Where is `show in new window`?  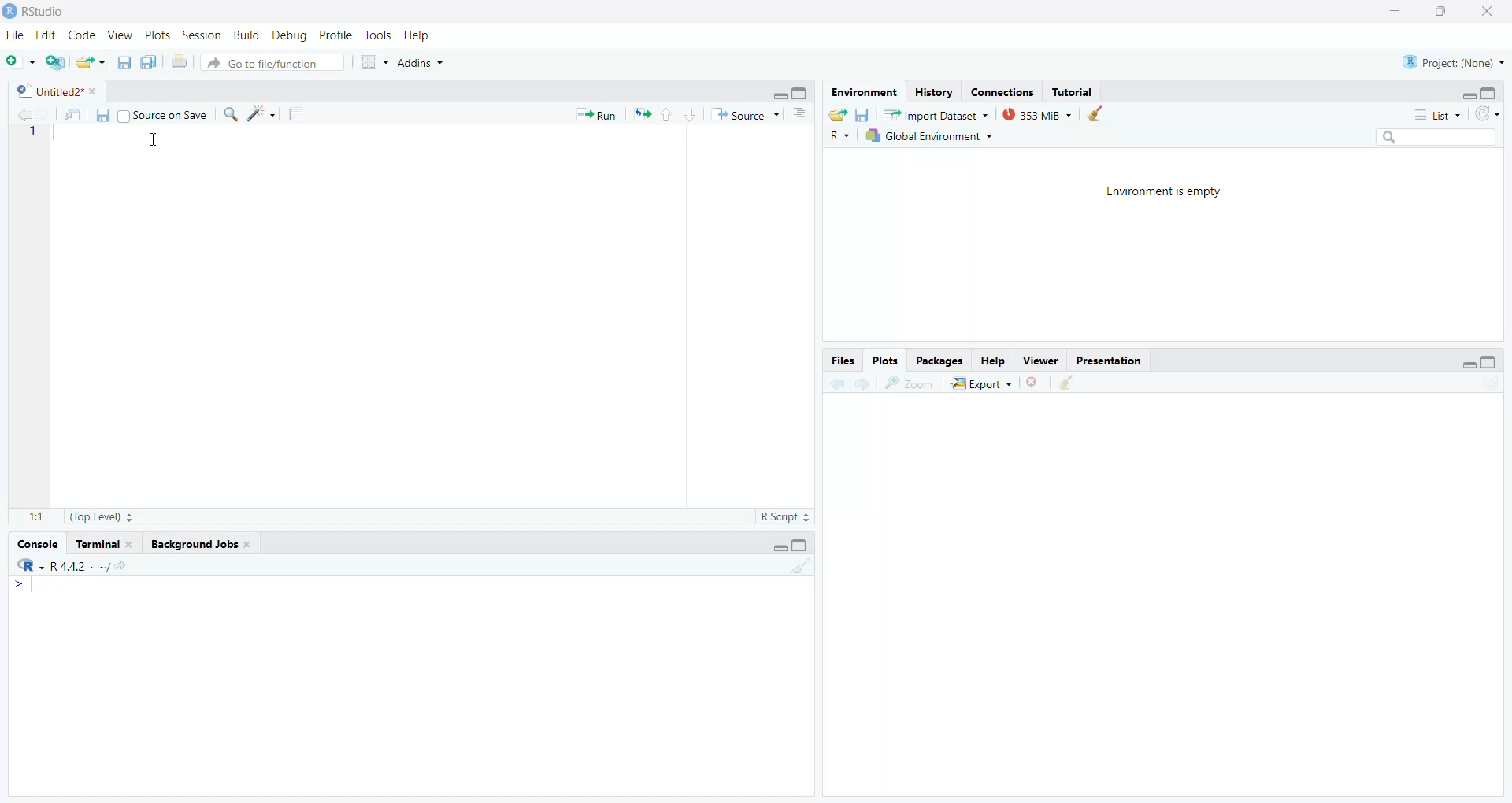 show in new window is located at coordinates (73, 115).